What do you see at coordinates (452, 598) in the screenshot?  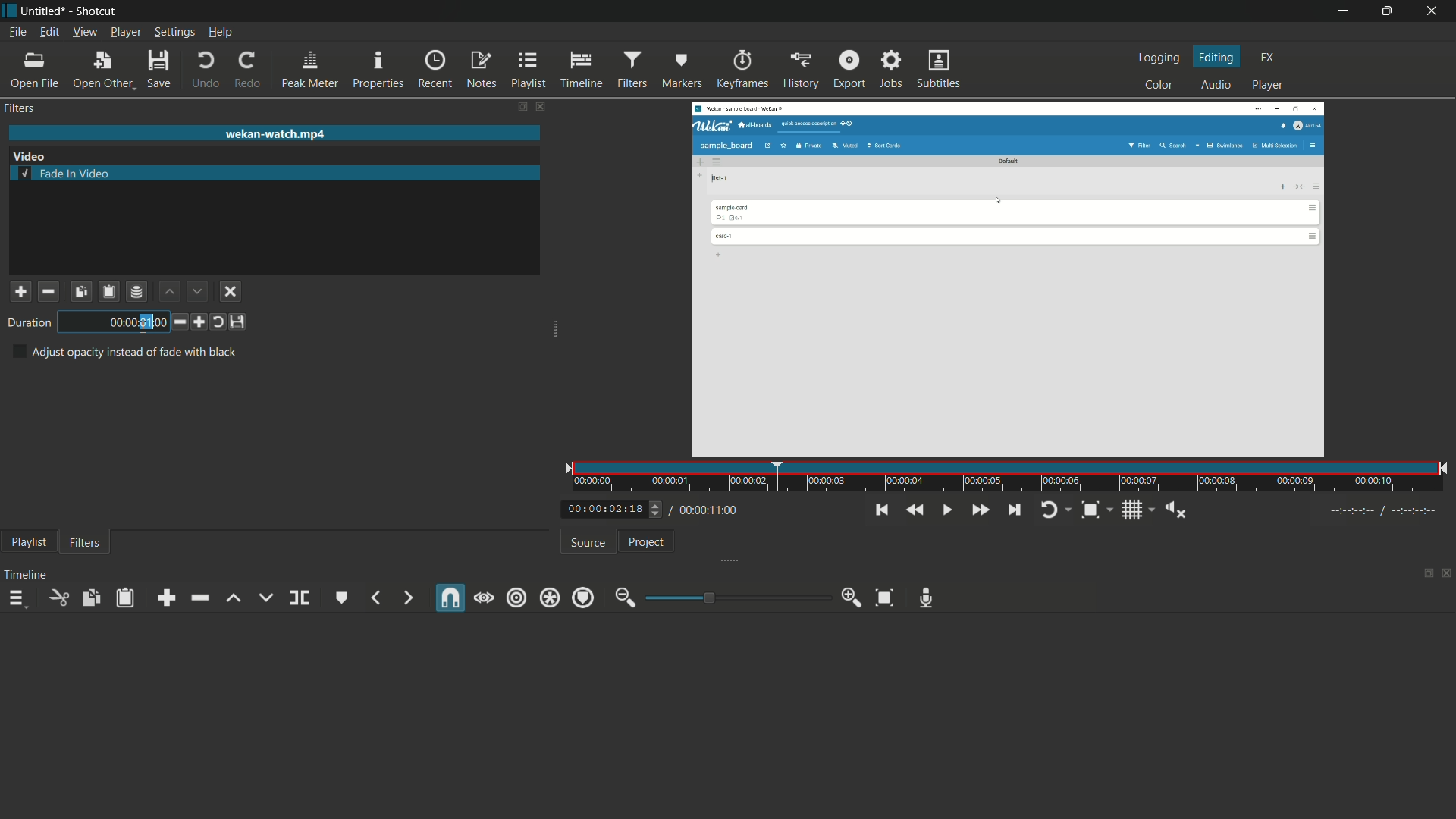 I see `snap` at bounding box center [452, 598].